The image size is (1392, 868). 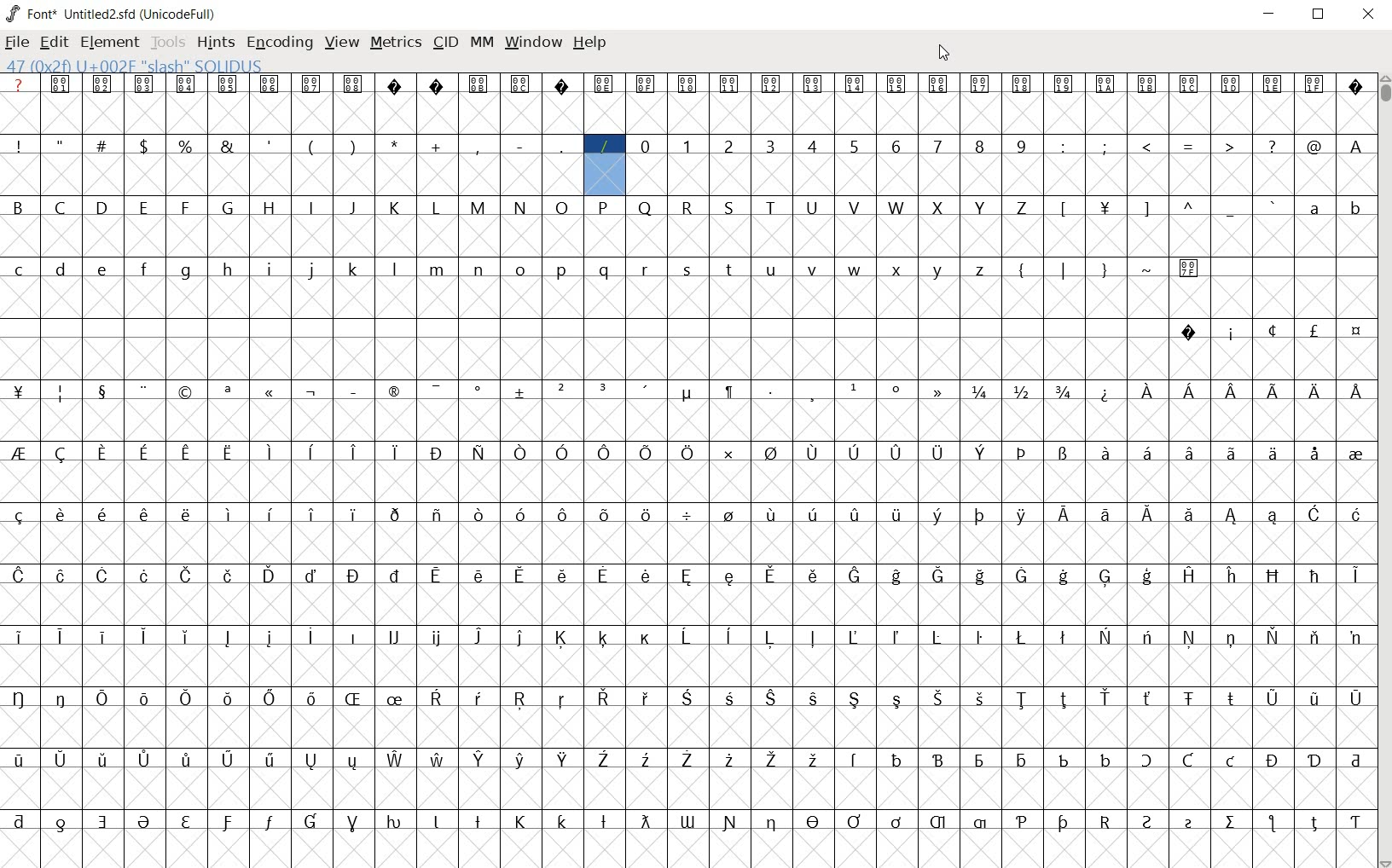 What do you see at coordinates (1023, 761) in the screenshot?
I see `glyph` at bounding box center [1023, 761].